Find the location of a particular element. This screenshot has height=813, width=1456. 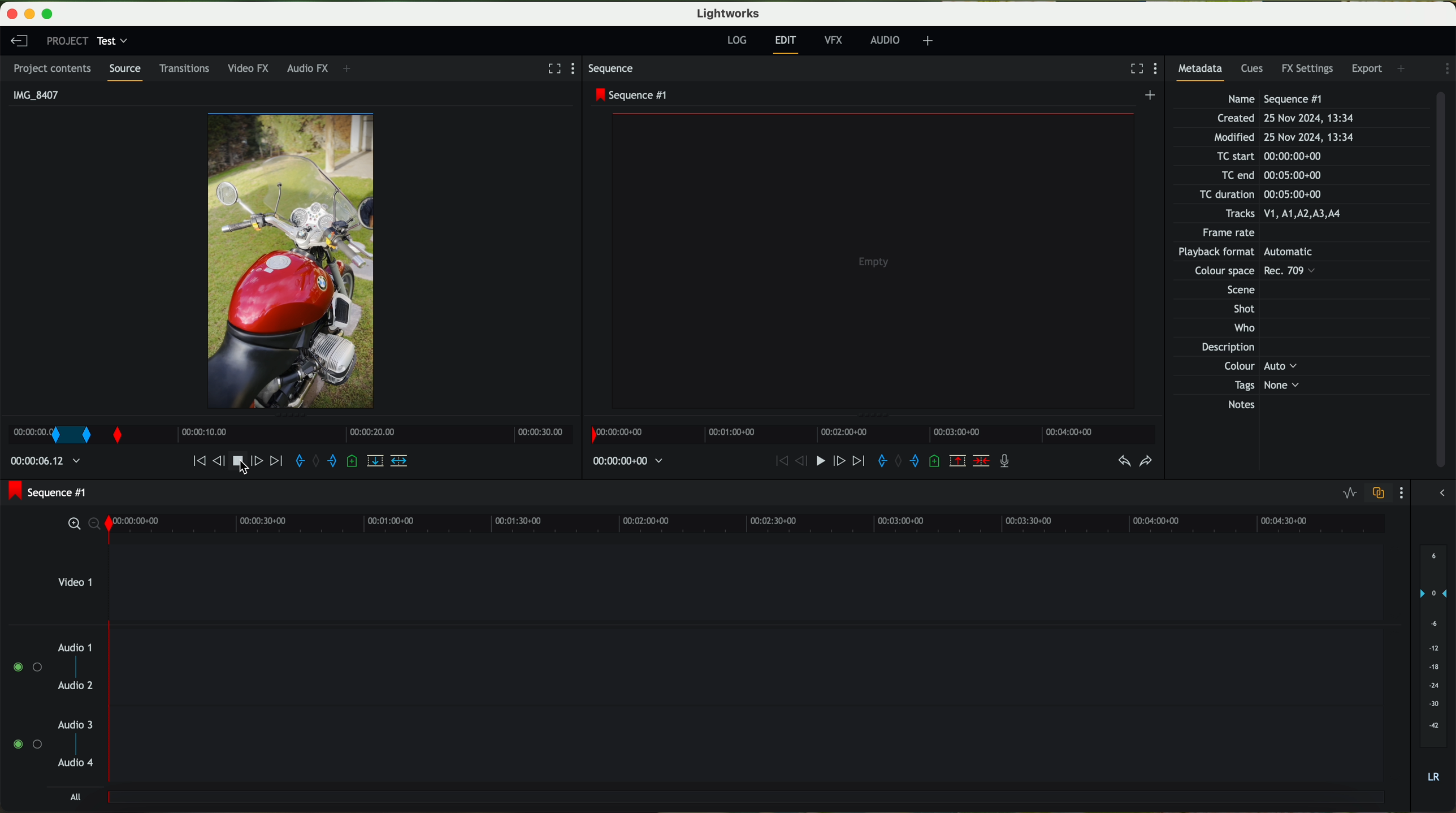

play is located at coordinates (814, 462).